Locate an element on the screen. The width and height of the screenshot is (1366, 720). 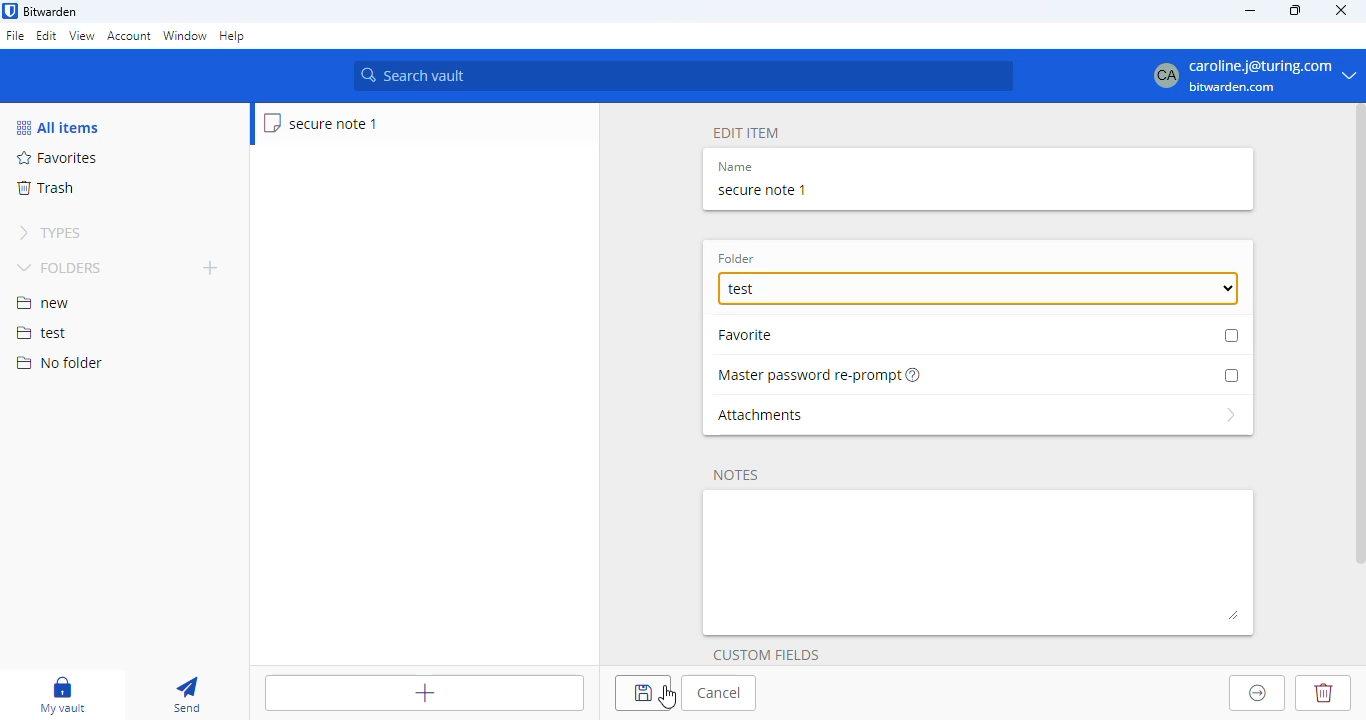
cancel is located at coordinates (719, 693).